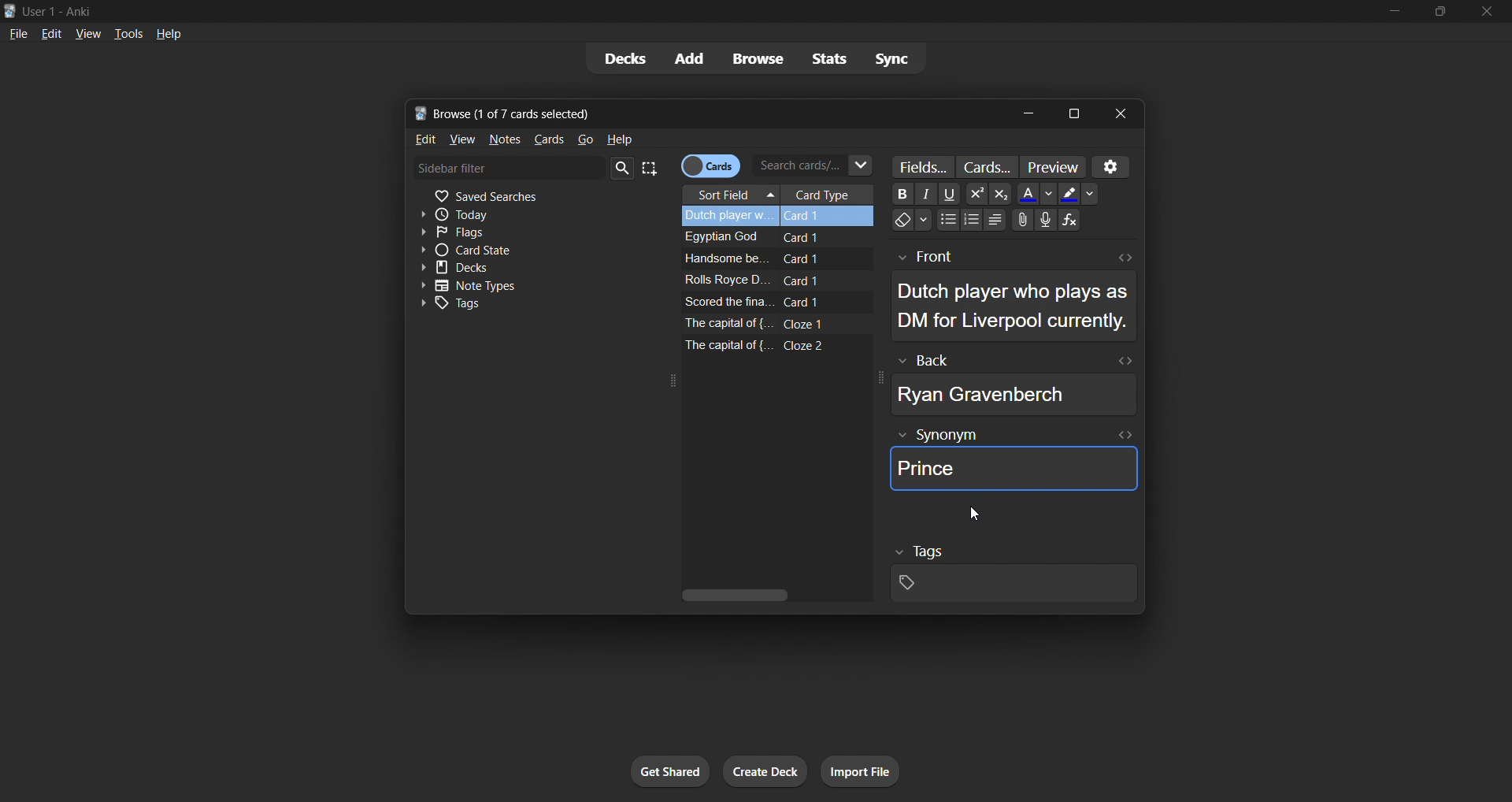 Image resolution: width=1512 pixels, height=802 pixels. What do you see at coordinates (774, 290) in the screenshot?
I see `remaining card data` at bounding box center [774, 290].